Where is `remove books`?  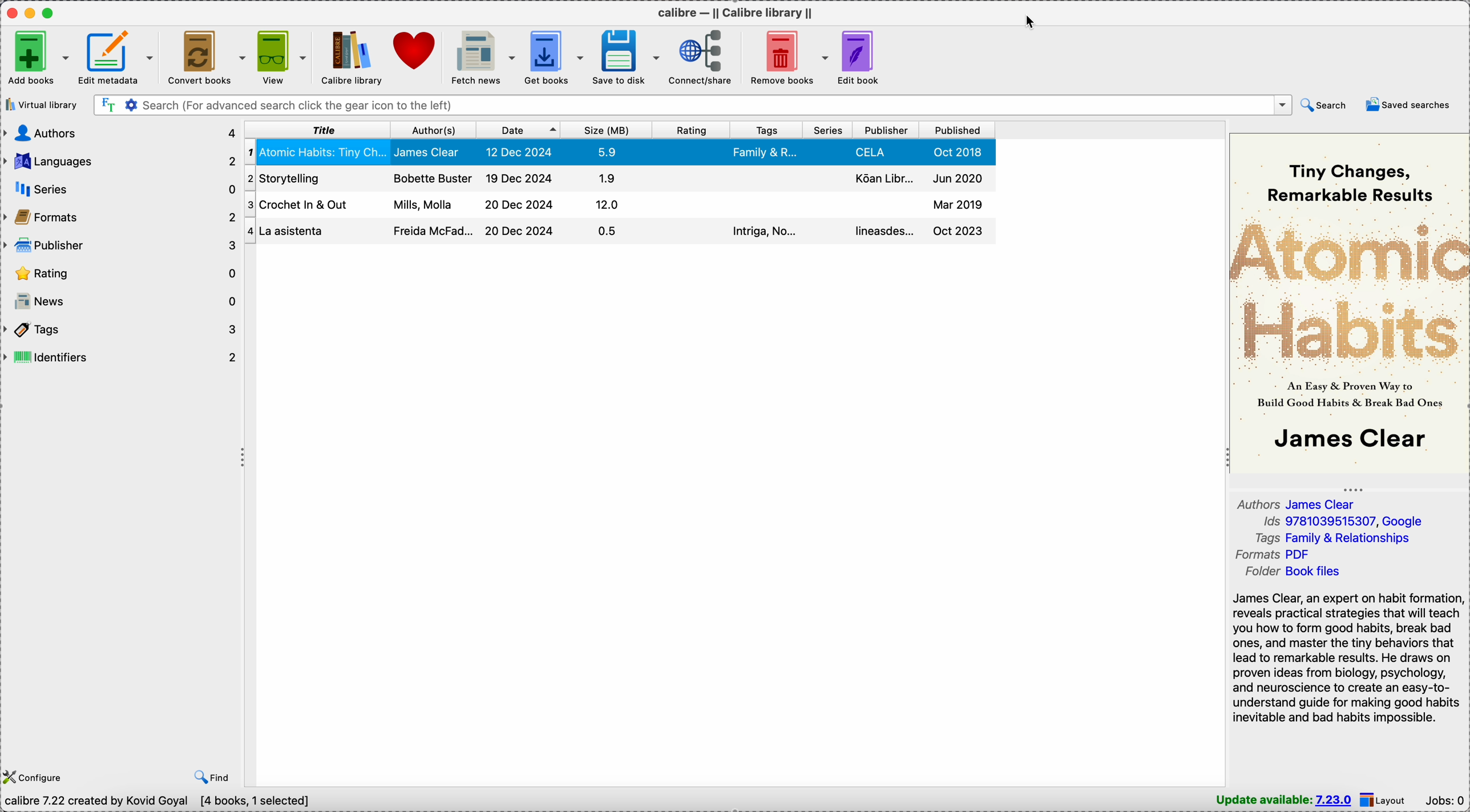 remove books is located at coordinates (787, 56).